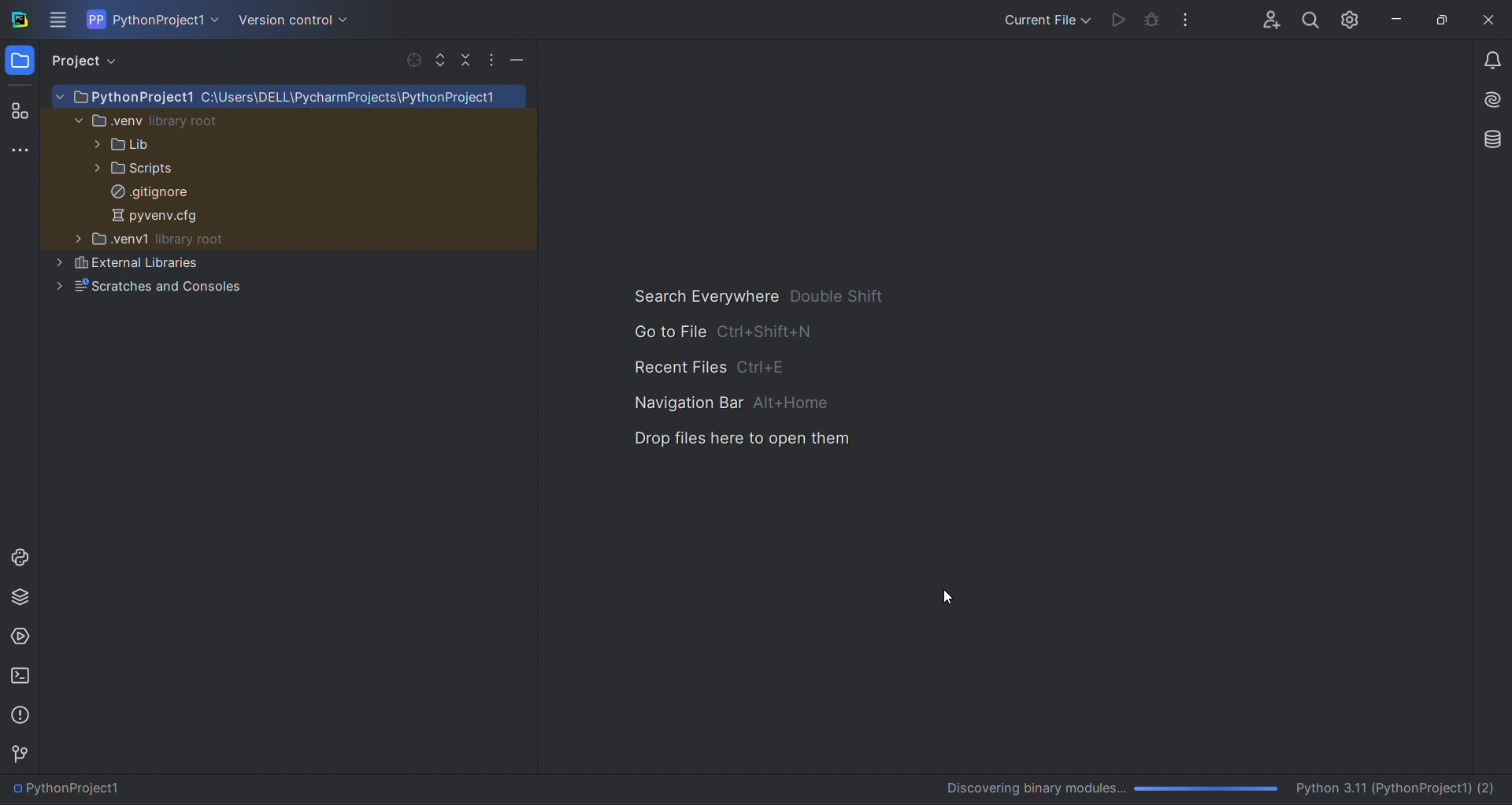 The width and height of the screenshot is (1512, 805). Describe the element at coordinates (20, 638) in the screenshot. I see `services` at that location.